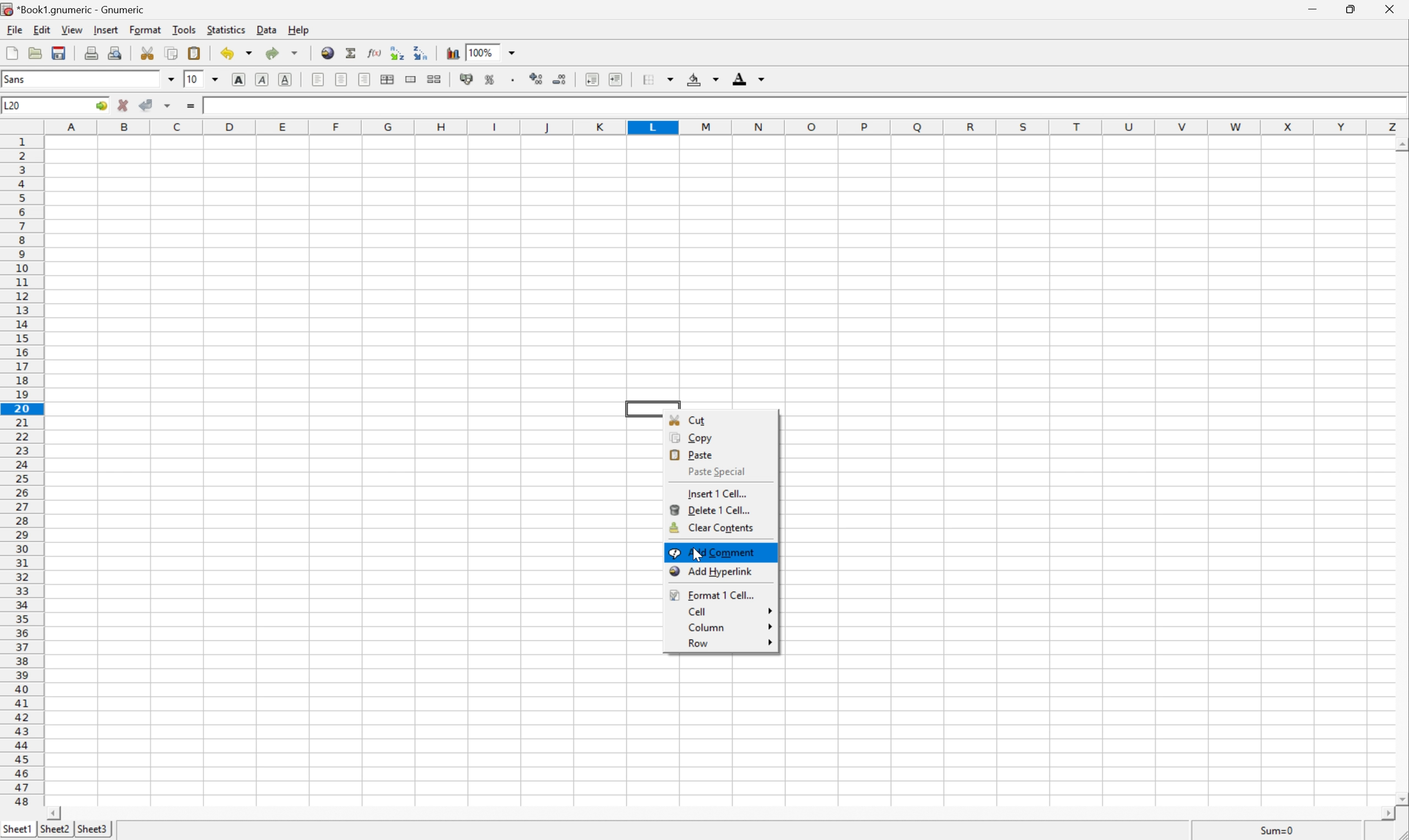  What do you see at coordinates (146, 106) in the screenshot?
I see `Accept changes` at bounding box center [146, 106].